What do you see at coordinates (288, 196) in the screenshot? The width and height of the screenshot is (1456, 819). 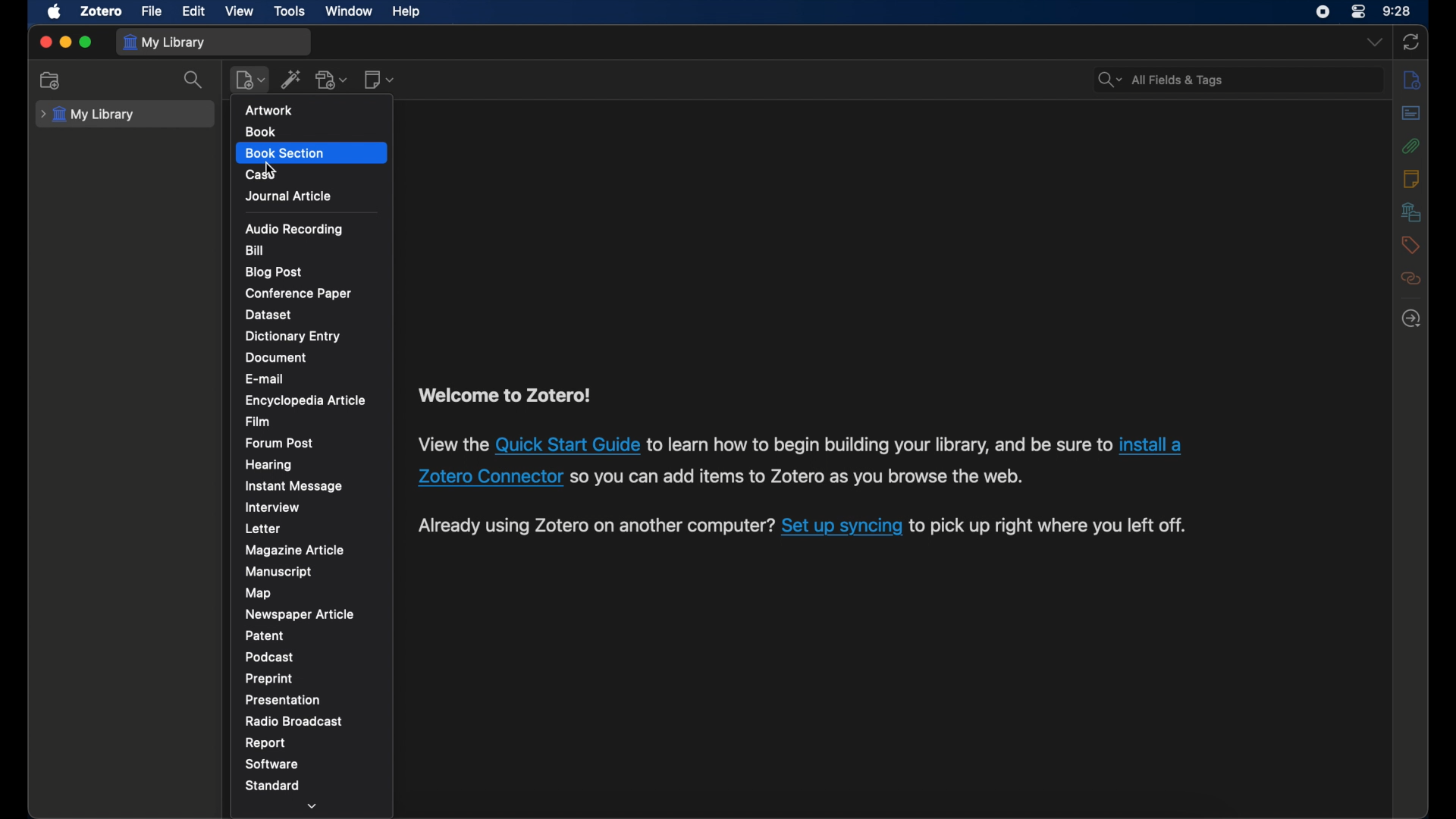 I see `journal article` at bounding box center [288, 196].